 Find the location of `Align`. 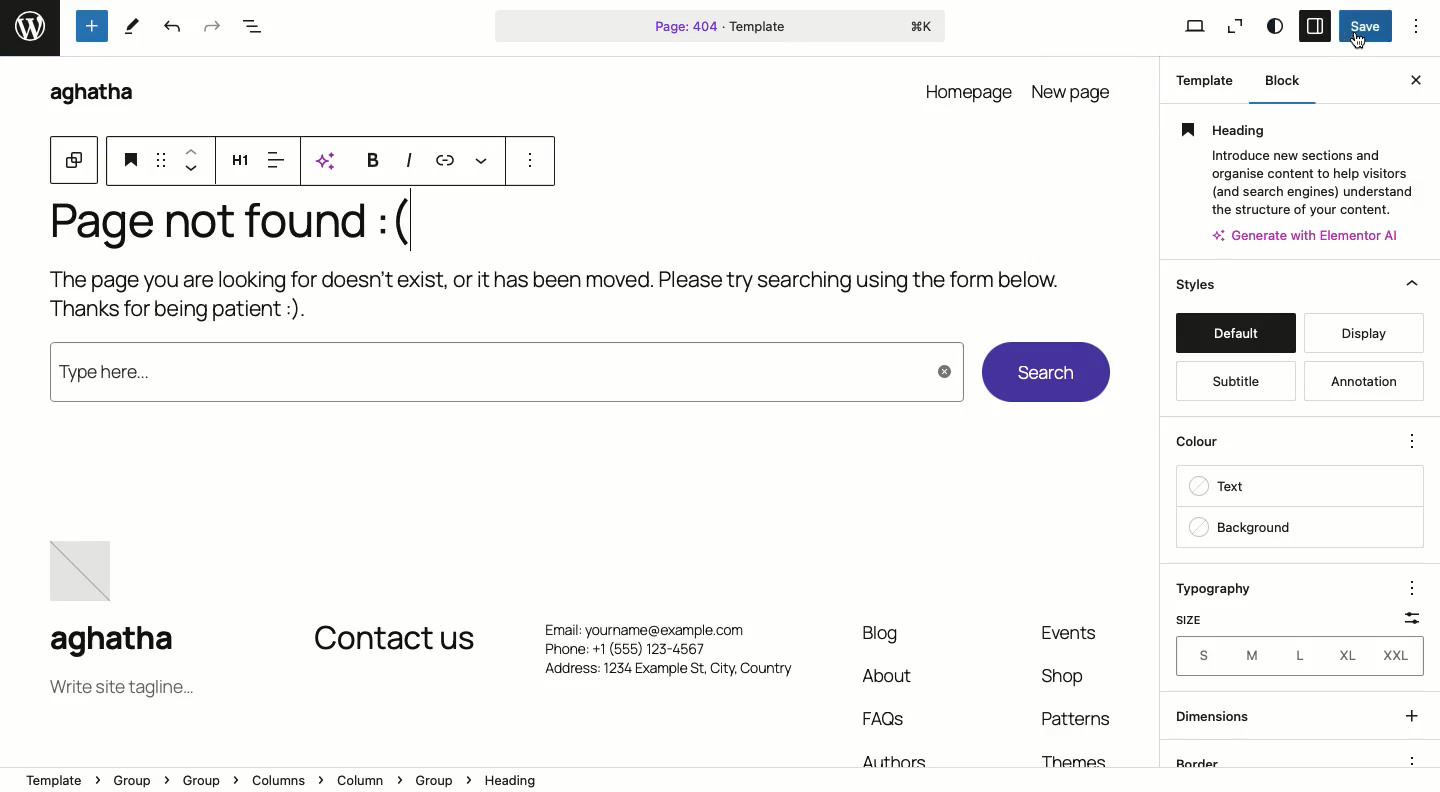

Align is located at coordinates (275, 159).